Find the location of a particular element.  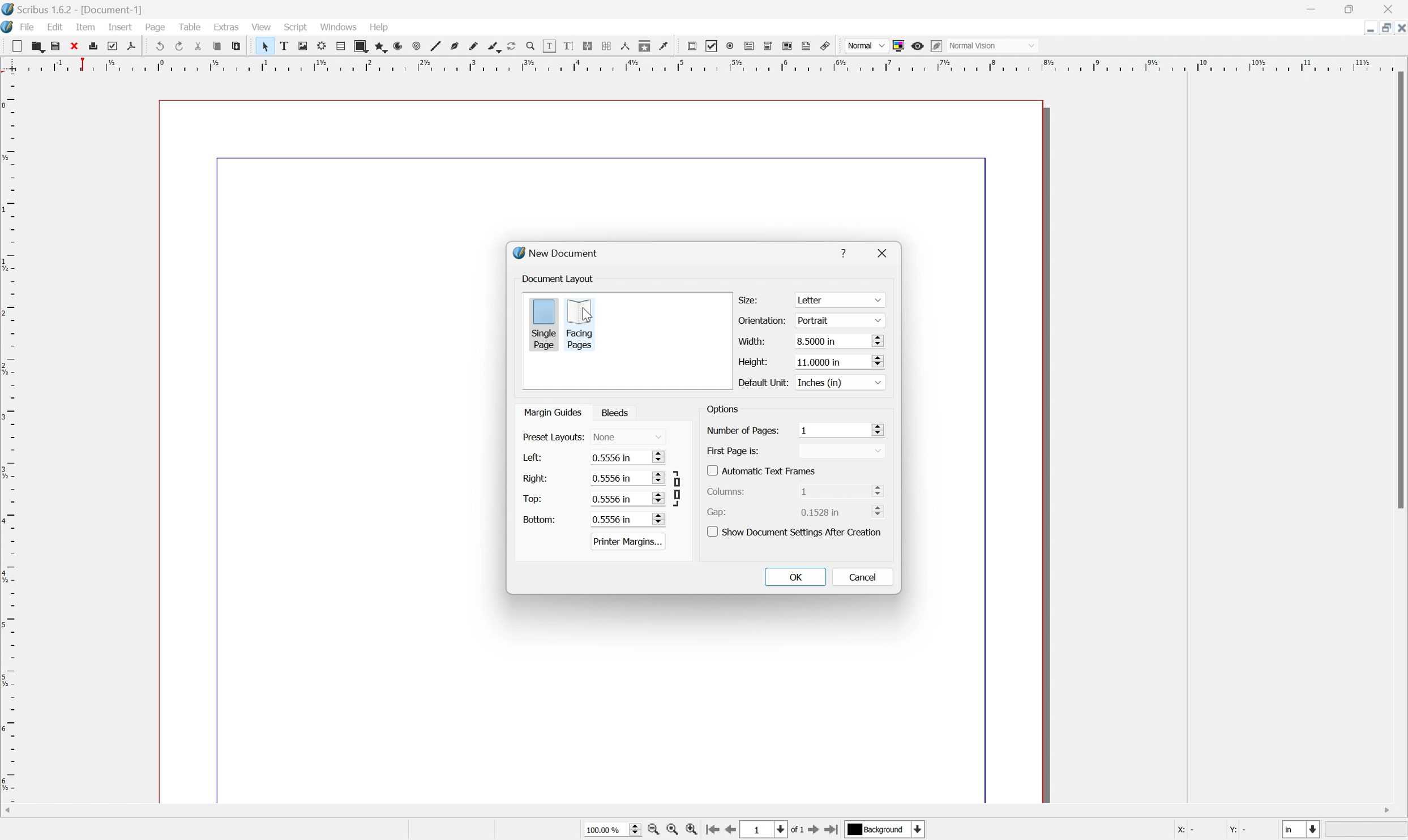

Rotate item is located at coordinates (511, 46).